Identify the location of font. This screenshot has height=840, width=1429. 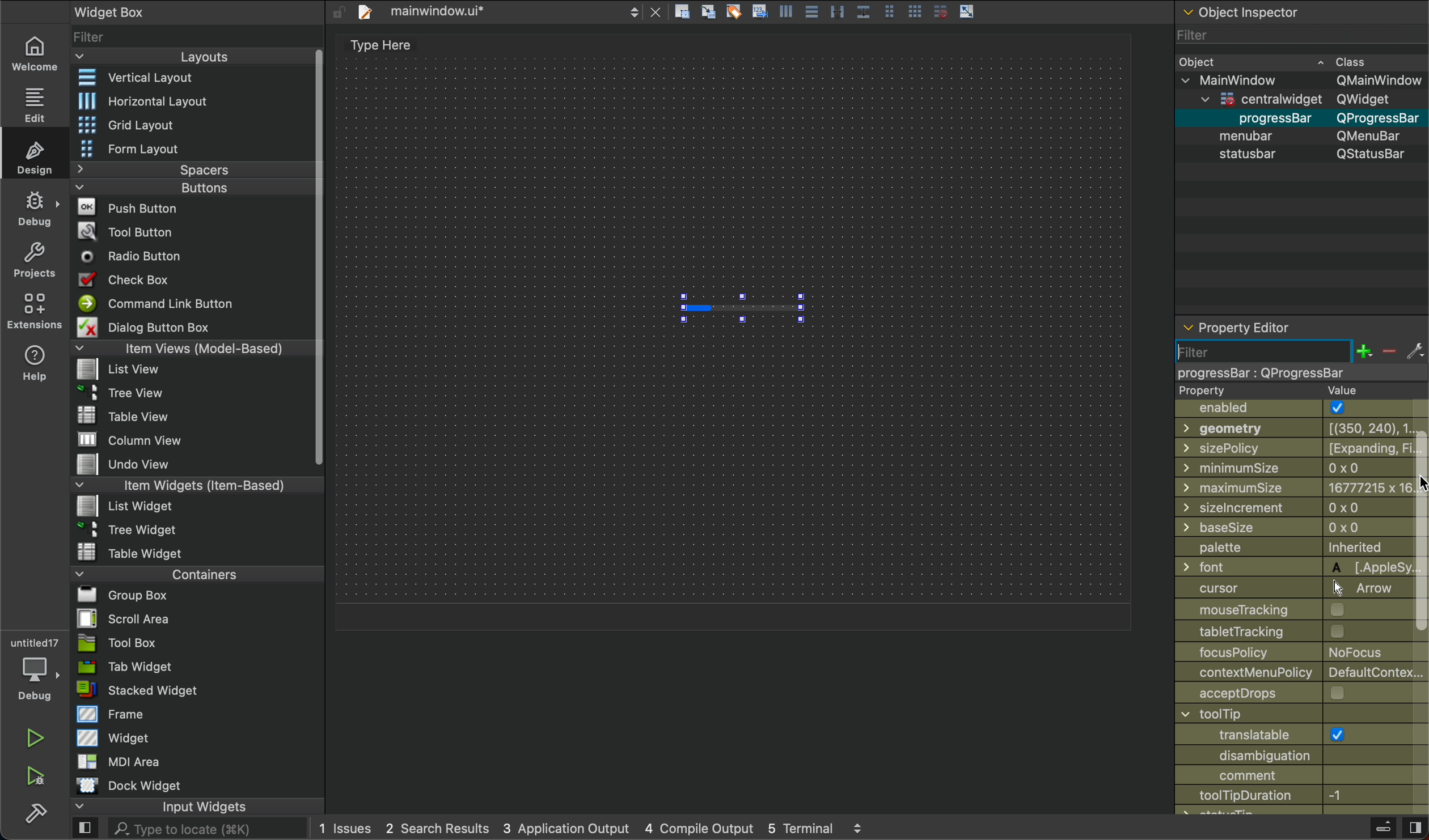
(1283, 569).